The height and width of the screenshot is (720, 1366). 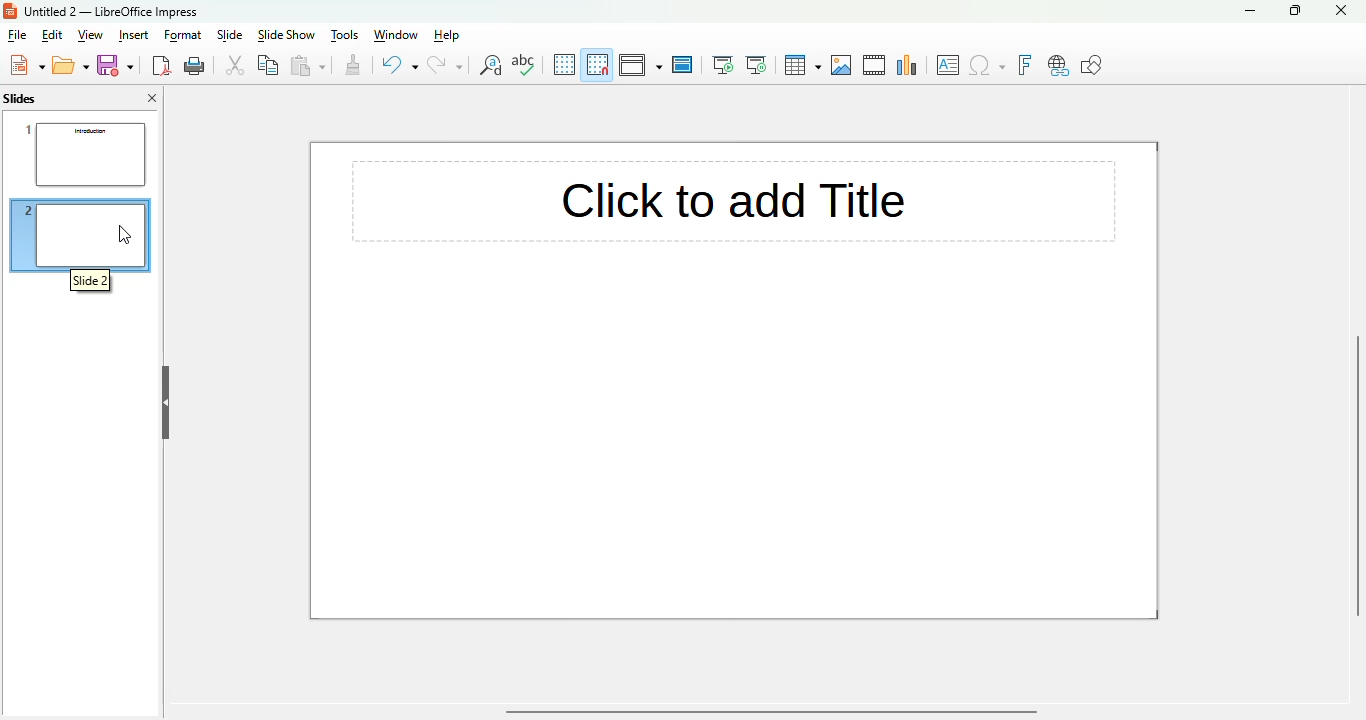 I want to click on clone formatting, so click(x=353, y=65).